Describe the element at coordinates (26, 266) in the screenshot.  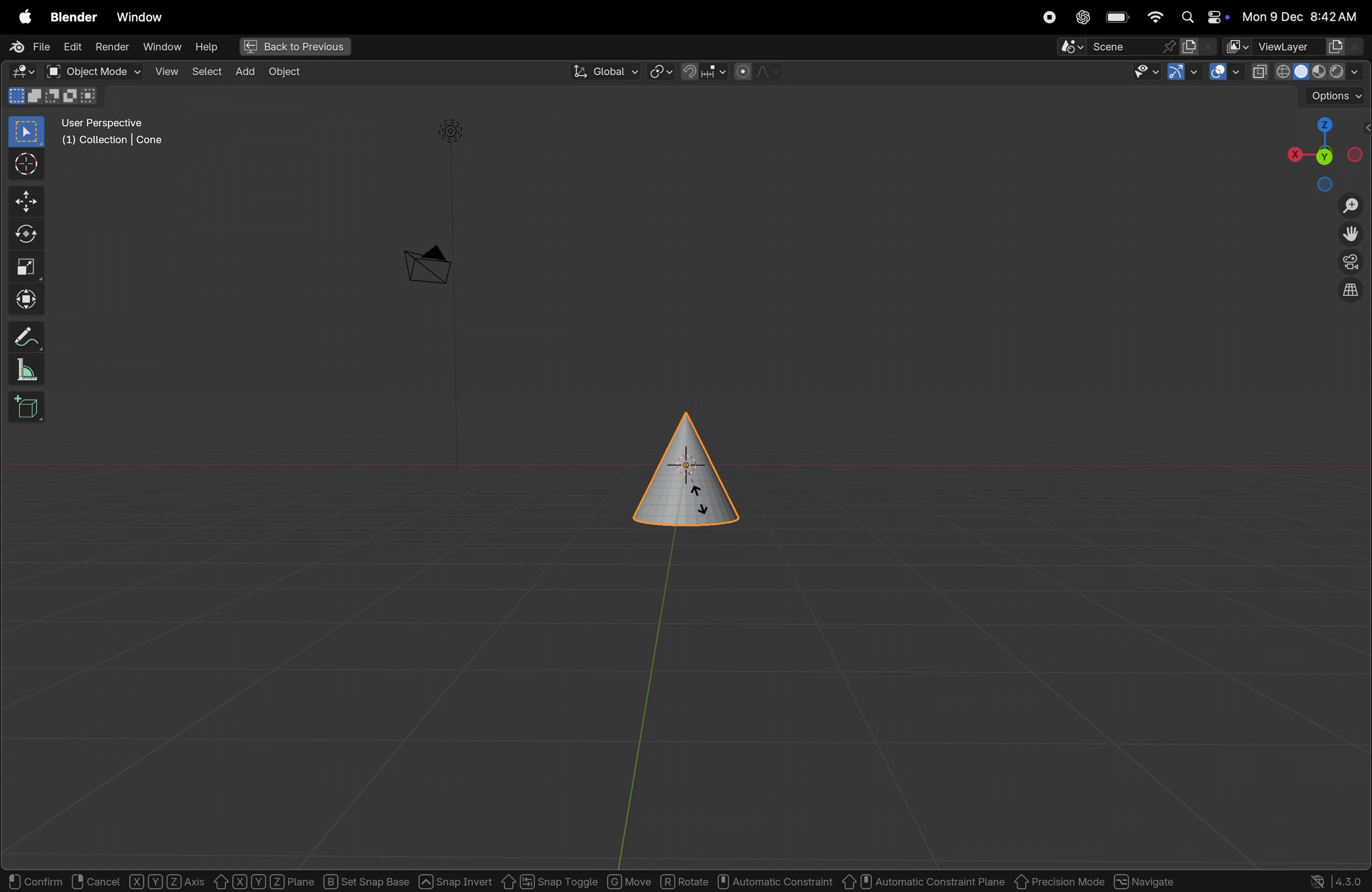
I see `scale` at that location.